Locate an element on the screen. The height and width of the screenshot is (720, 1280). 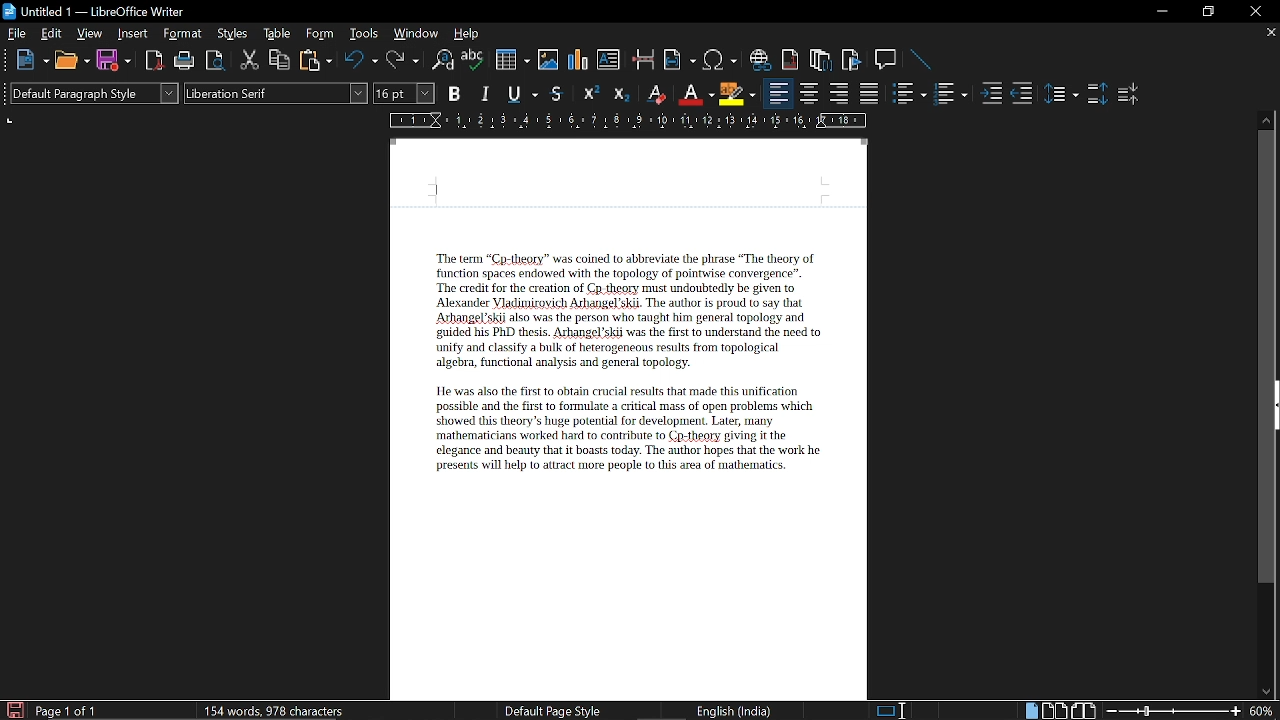
Text size is located at coordinates (403, 93).